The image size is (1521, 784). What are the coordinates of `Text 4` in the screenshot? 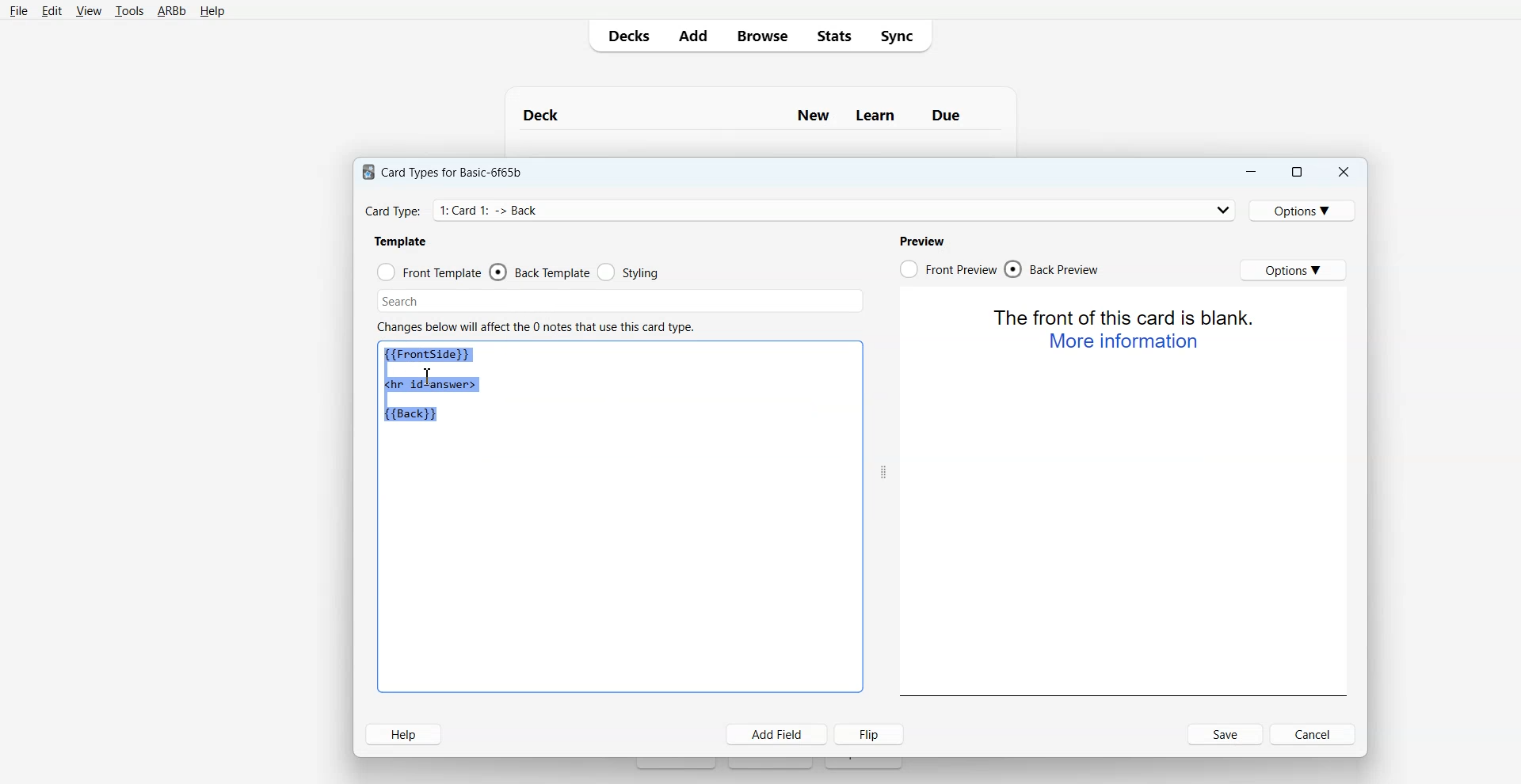 It's located at (925, 239).